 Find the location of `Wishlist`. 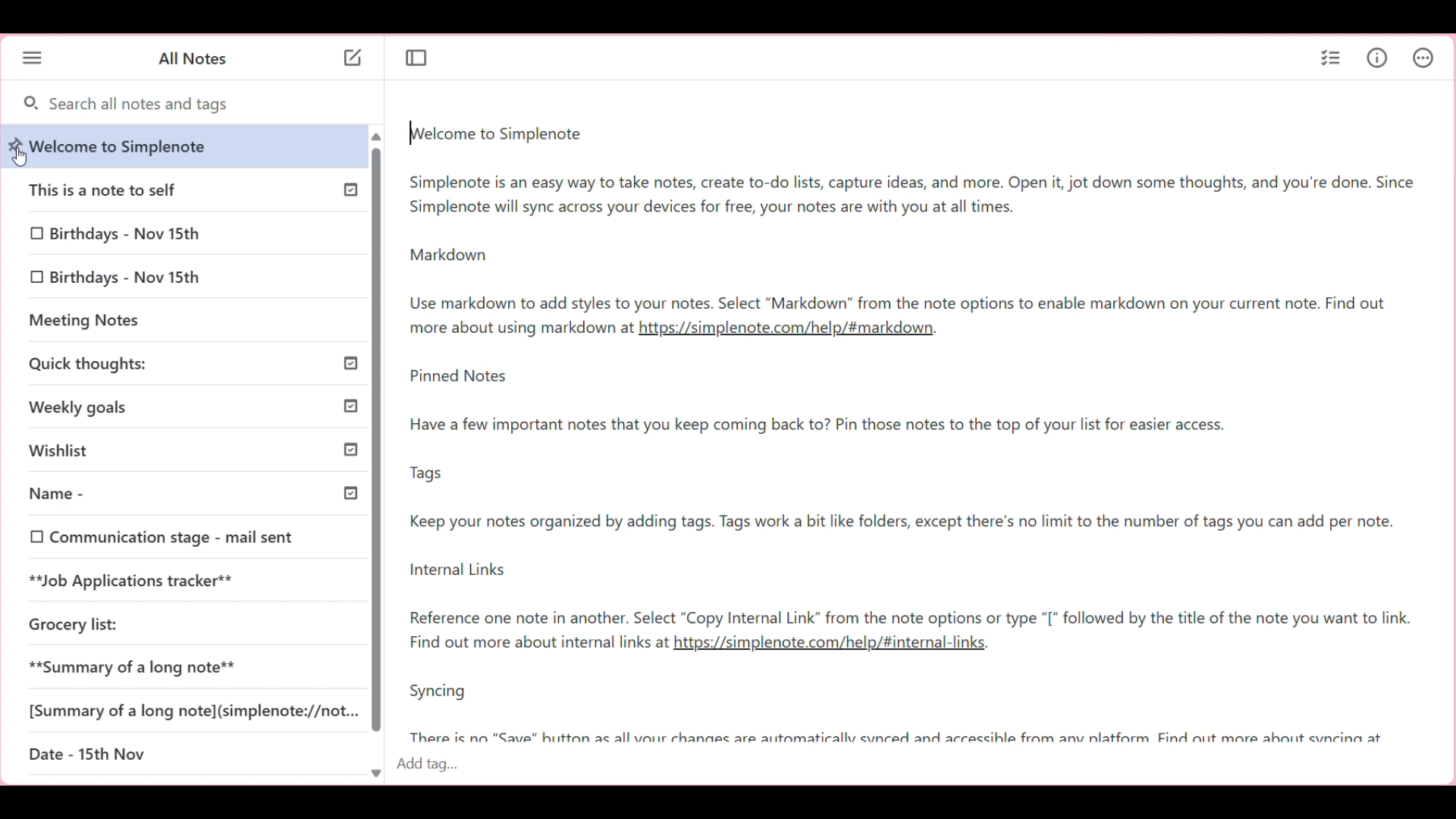

Wishlist is located at coordinates (156, 445).